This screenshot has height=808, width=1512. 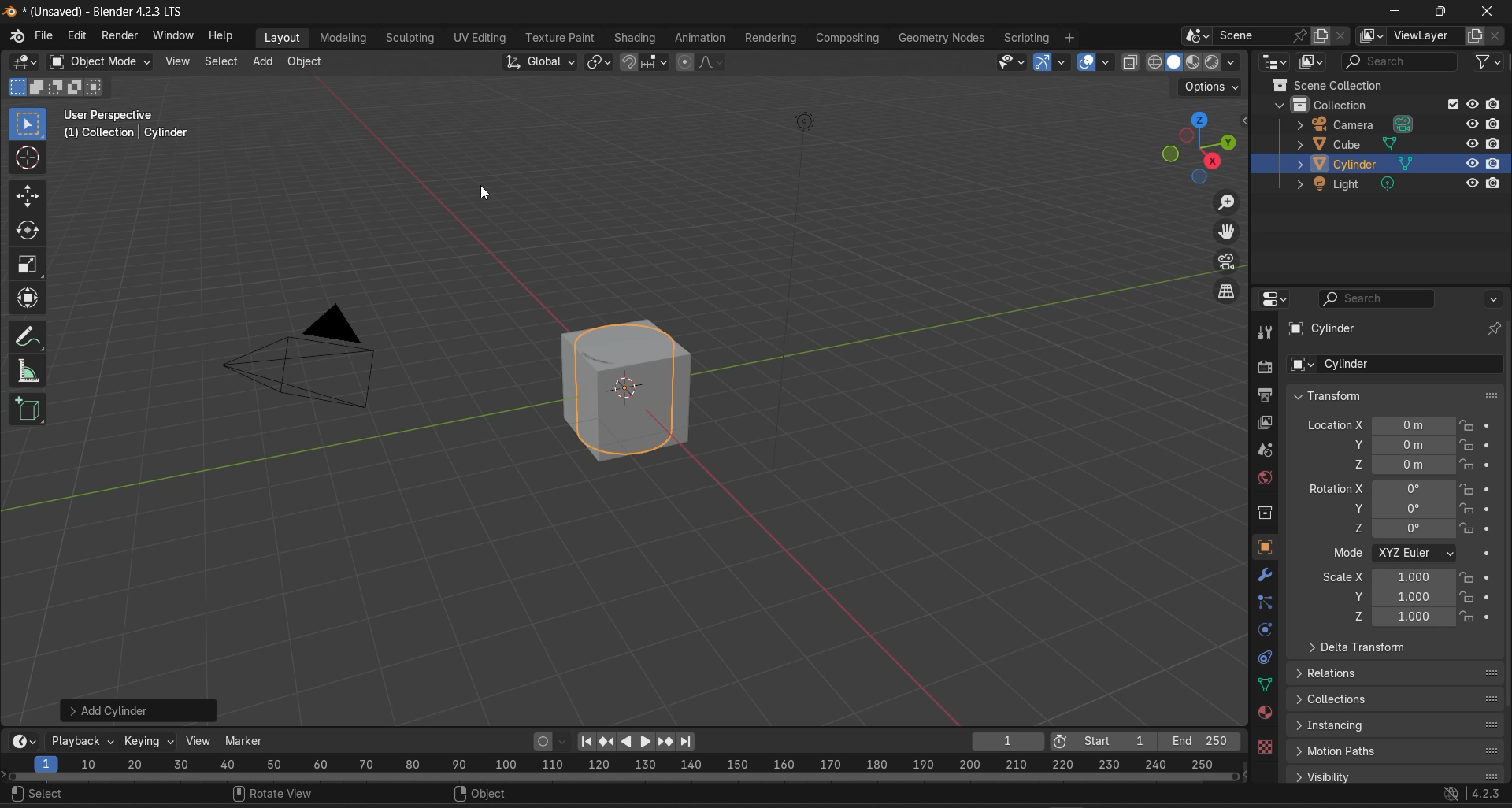 What do you see at coordinates (1230, 233) in the screenshot?
I see `move the view` at bounding box center [1230, 233].